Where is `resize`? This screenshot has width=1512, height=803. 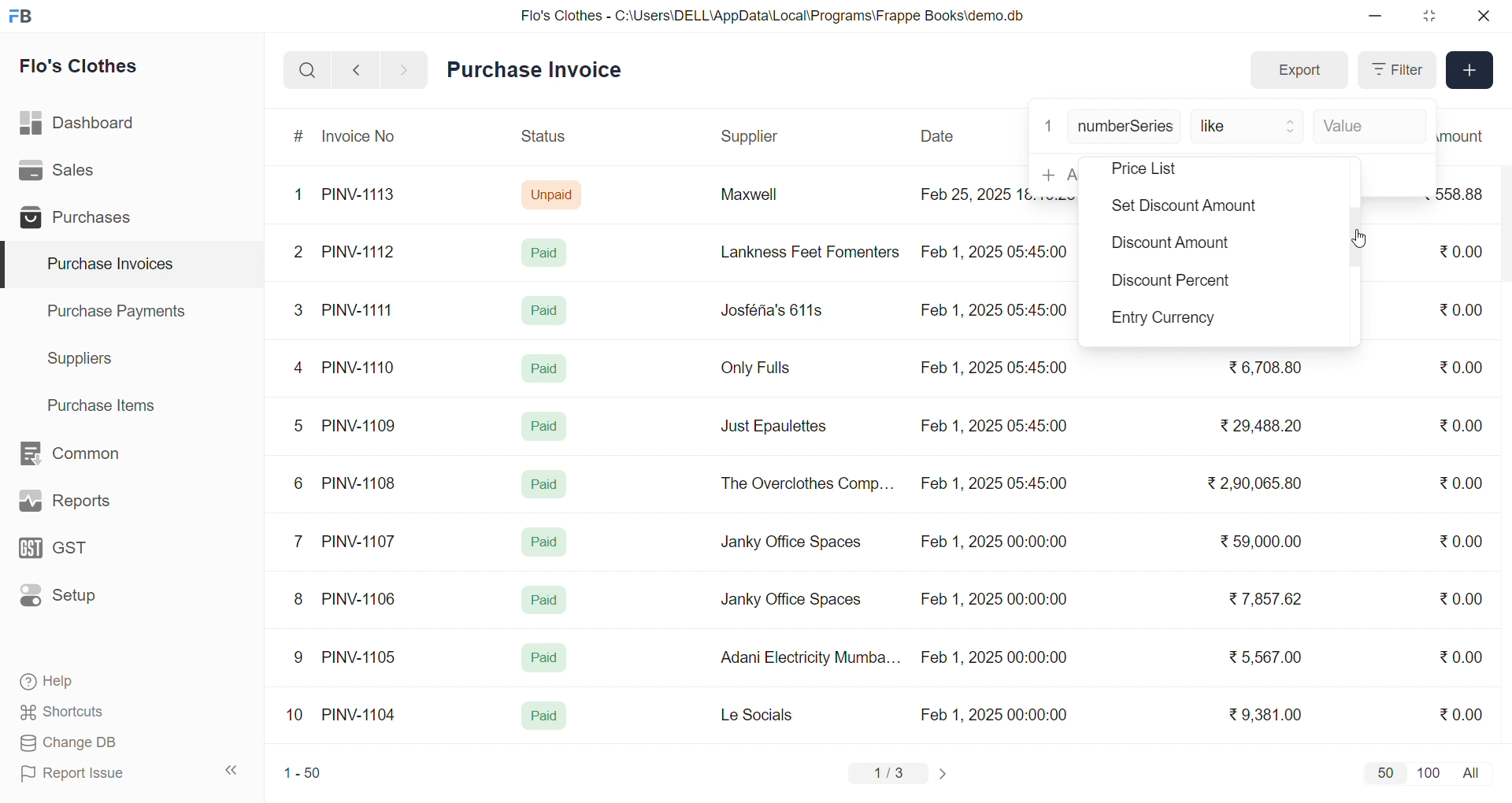 resize is located at coordinates (1429, 16).